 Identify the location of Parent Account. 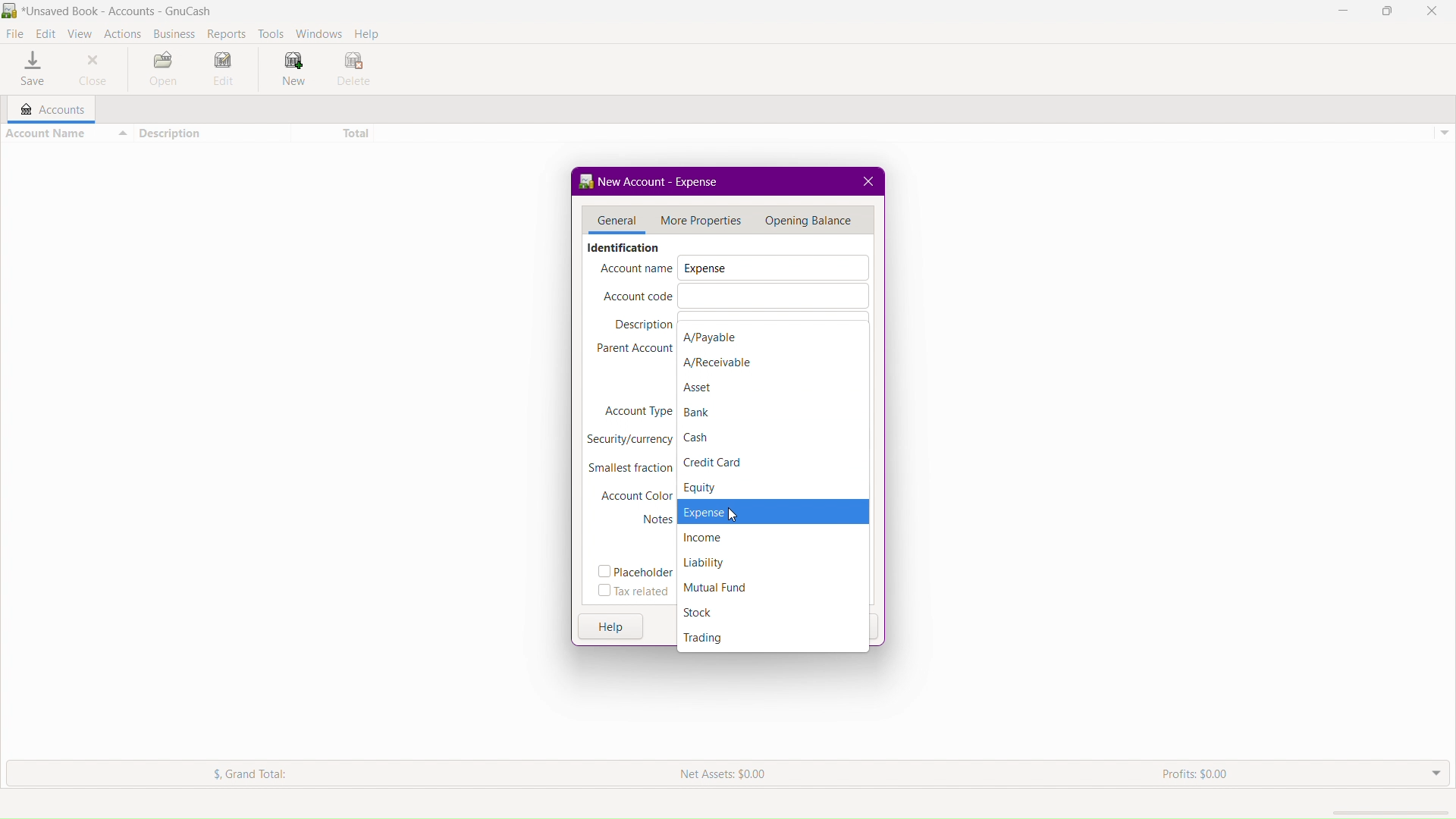
(635, 352).